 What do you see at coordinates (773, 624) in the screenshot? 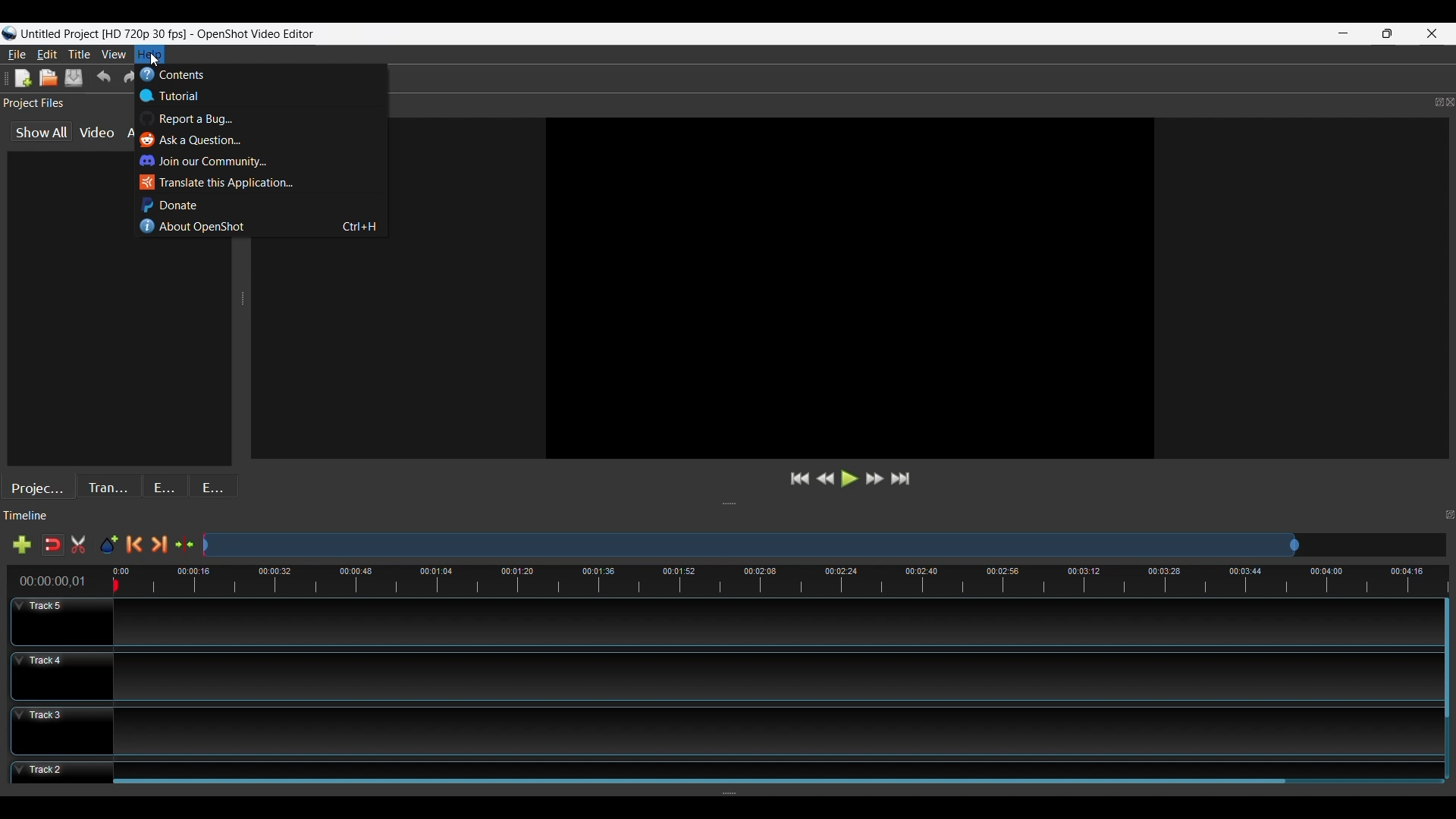
I see `` at bounding box center [773, 624].